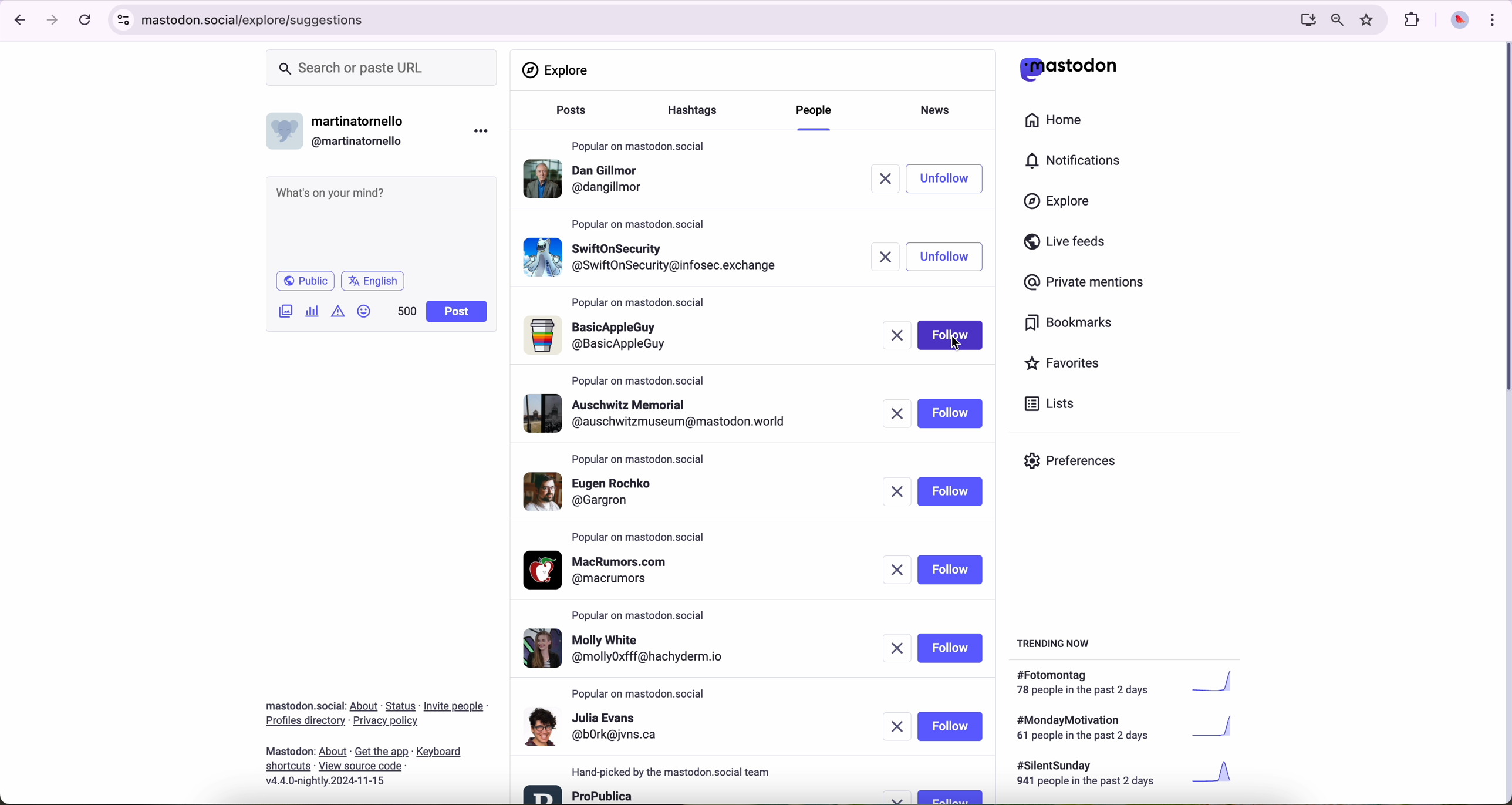  I want to click on follow button, so click(950, 570).